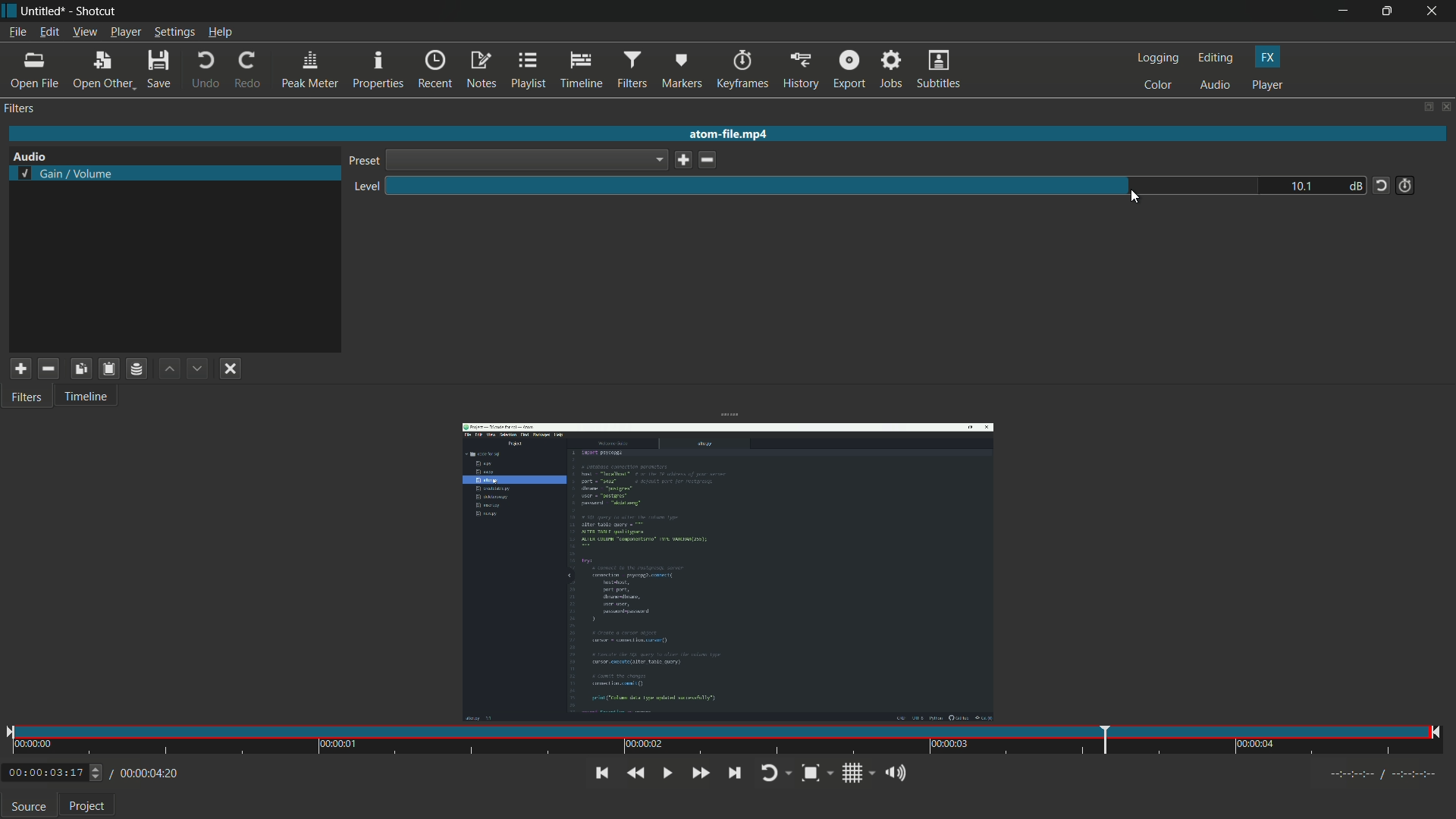 Image resolution: width=1456 pixels, height=819 pixels. Describe the element at coordinates (49, 369) in the screenshot. I see `remove selected filter` at that location.